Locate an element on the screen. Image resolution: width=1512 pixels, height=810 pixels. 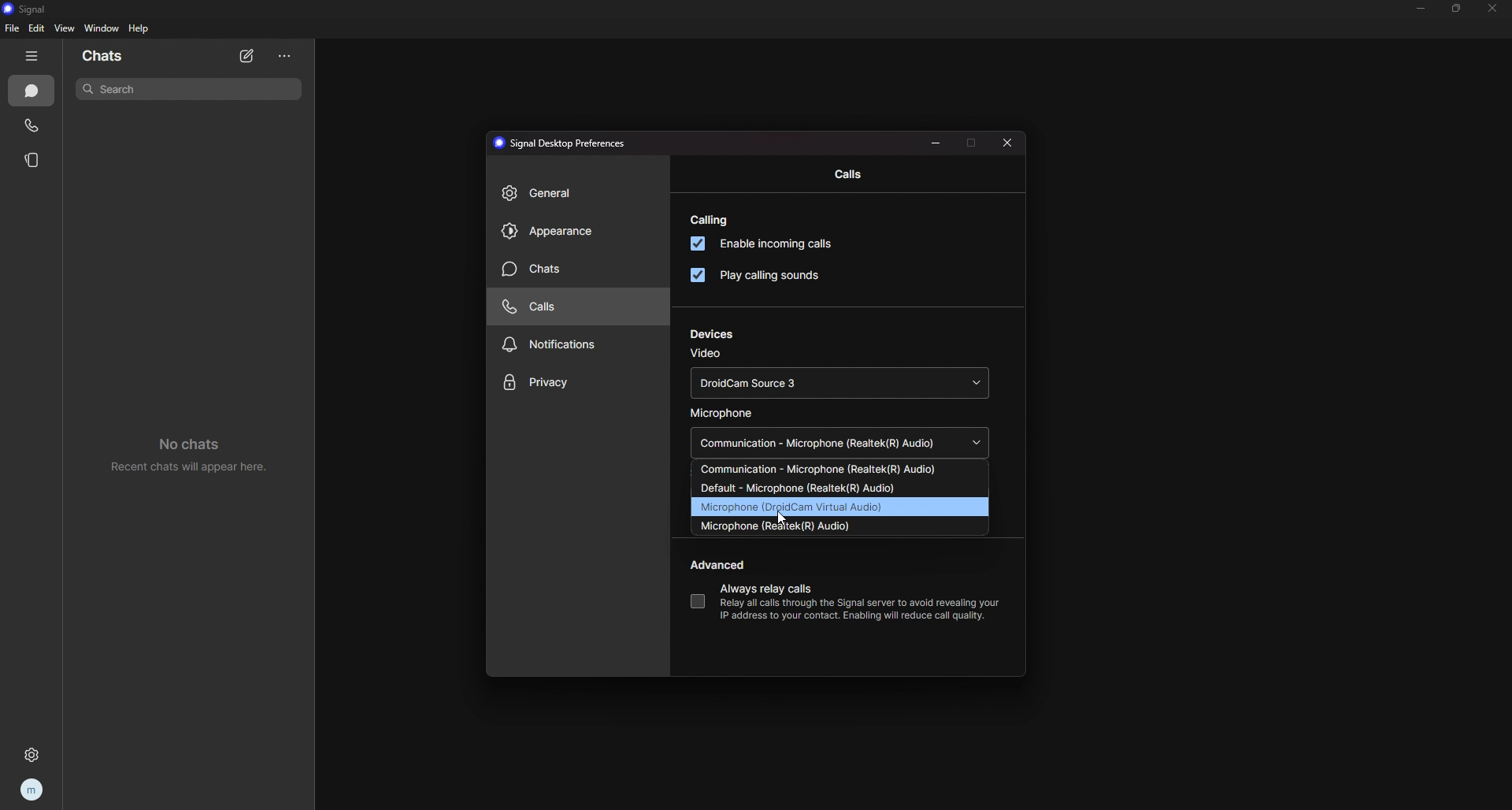
file is located at coordinates (12, 29).